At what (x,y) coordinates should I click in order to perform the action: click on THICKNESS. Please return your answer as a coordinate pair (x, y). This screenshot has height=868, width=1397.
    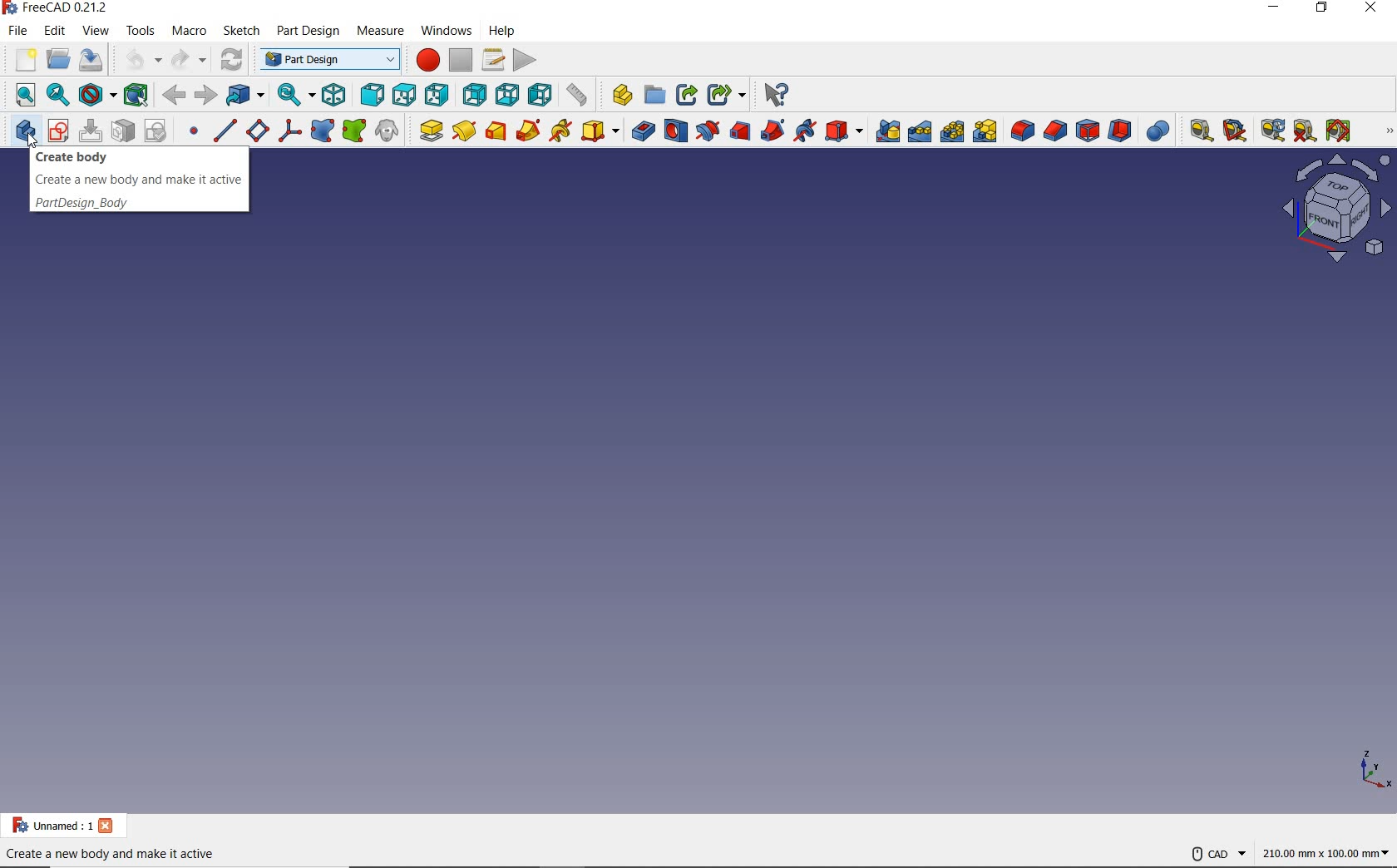
    Looking at the image, I should click on (1121, 128).